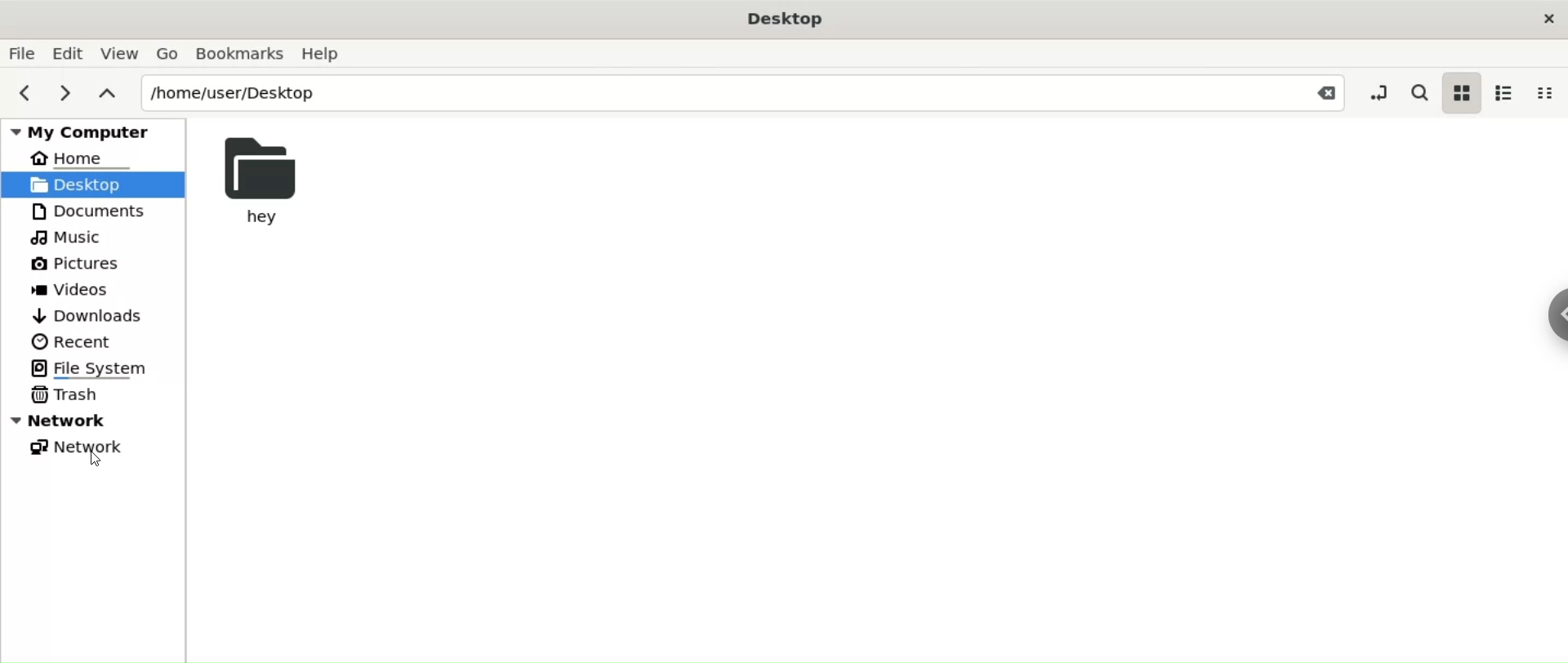 Image resolution: width=1568 pixels, height=663 pixels. What do you see at coordinates (74, 265) in the screenshot?
I see `Pictures` at bounding box center [74, 265].